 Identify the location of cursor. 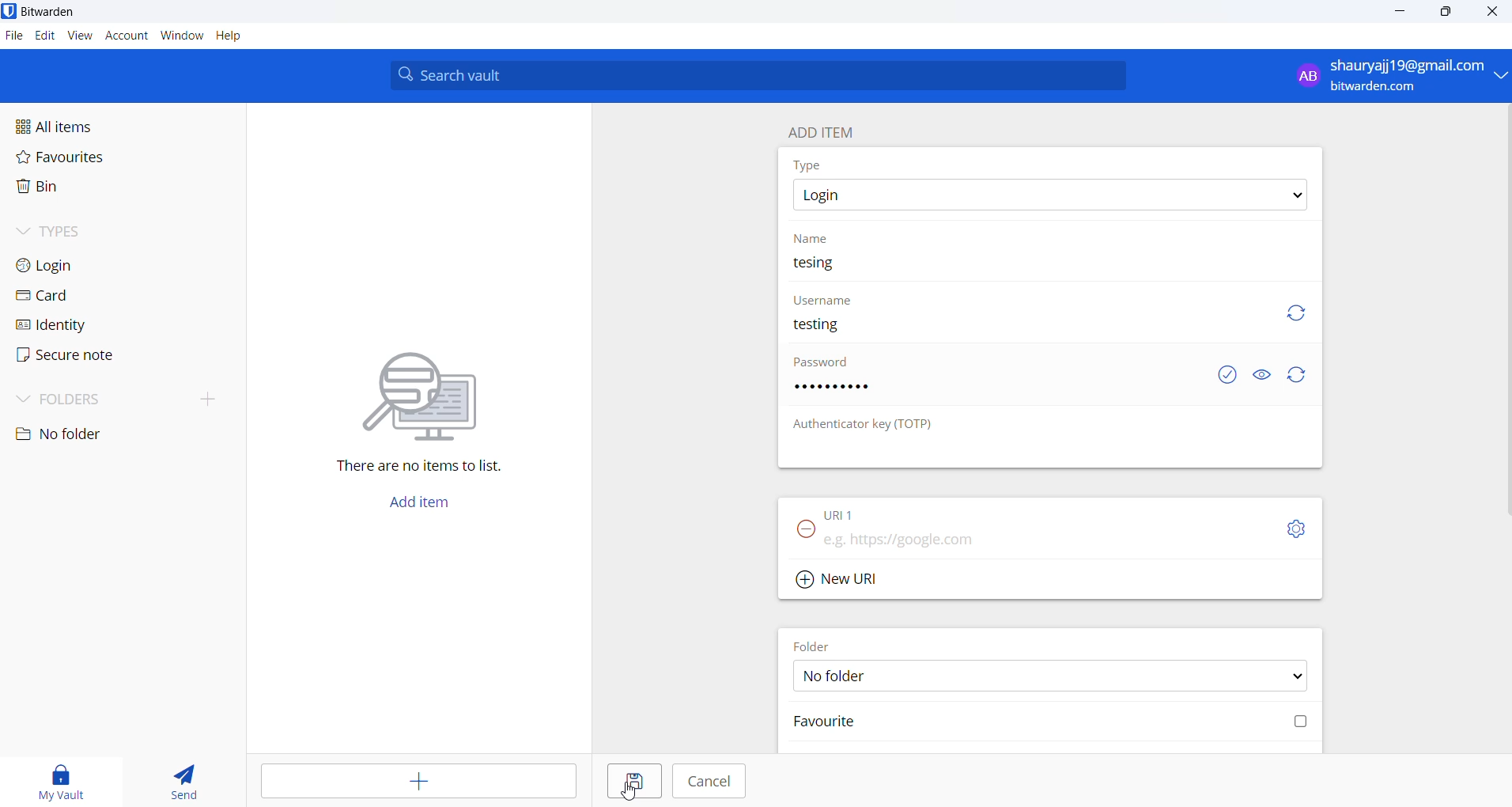
(628, 788).